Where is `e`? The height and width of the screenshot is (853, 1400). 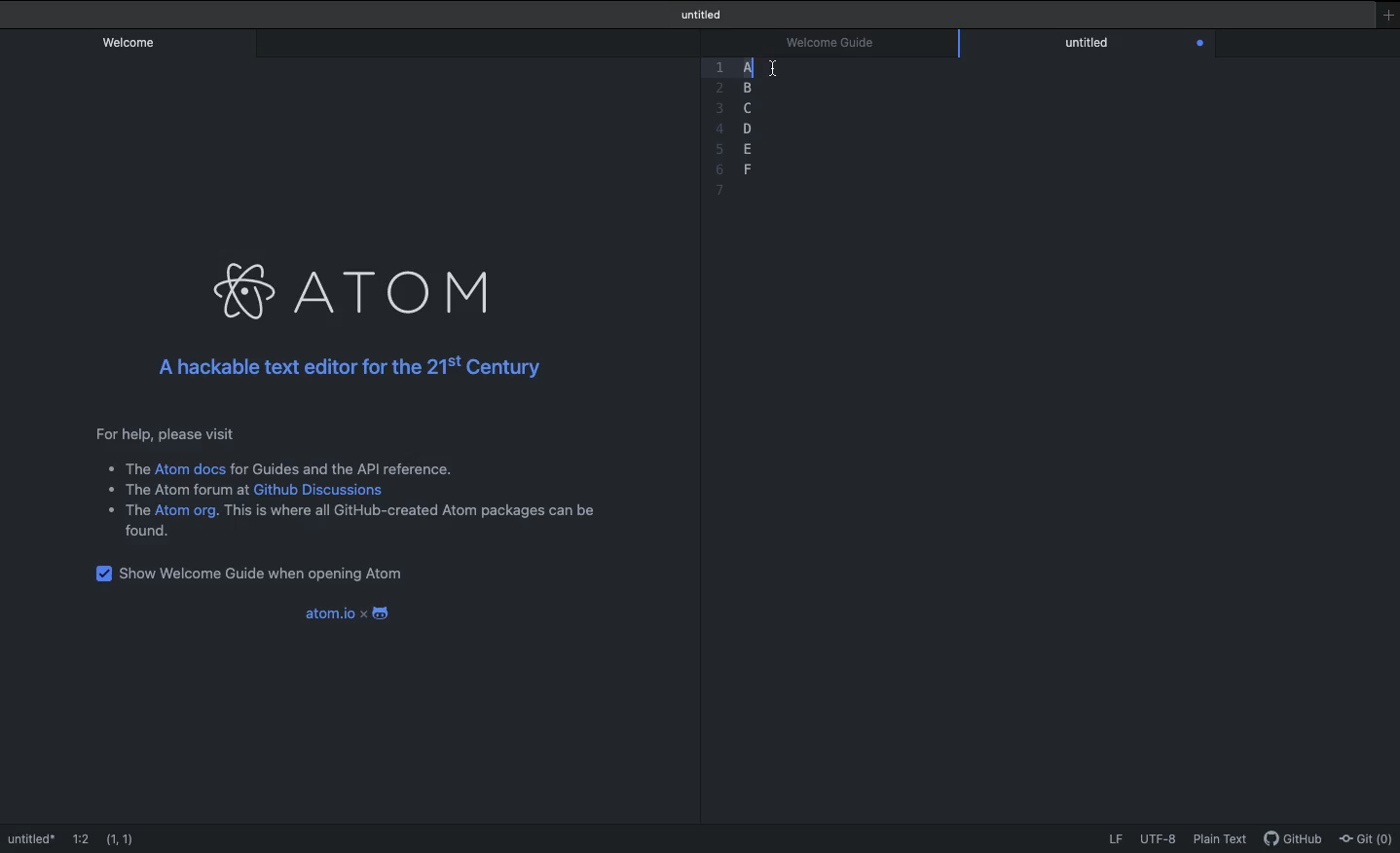
e is located at coordinates (747, 148).